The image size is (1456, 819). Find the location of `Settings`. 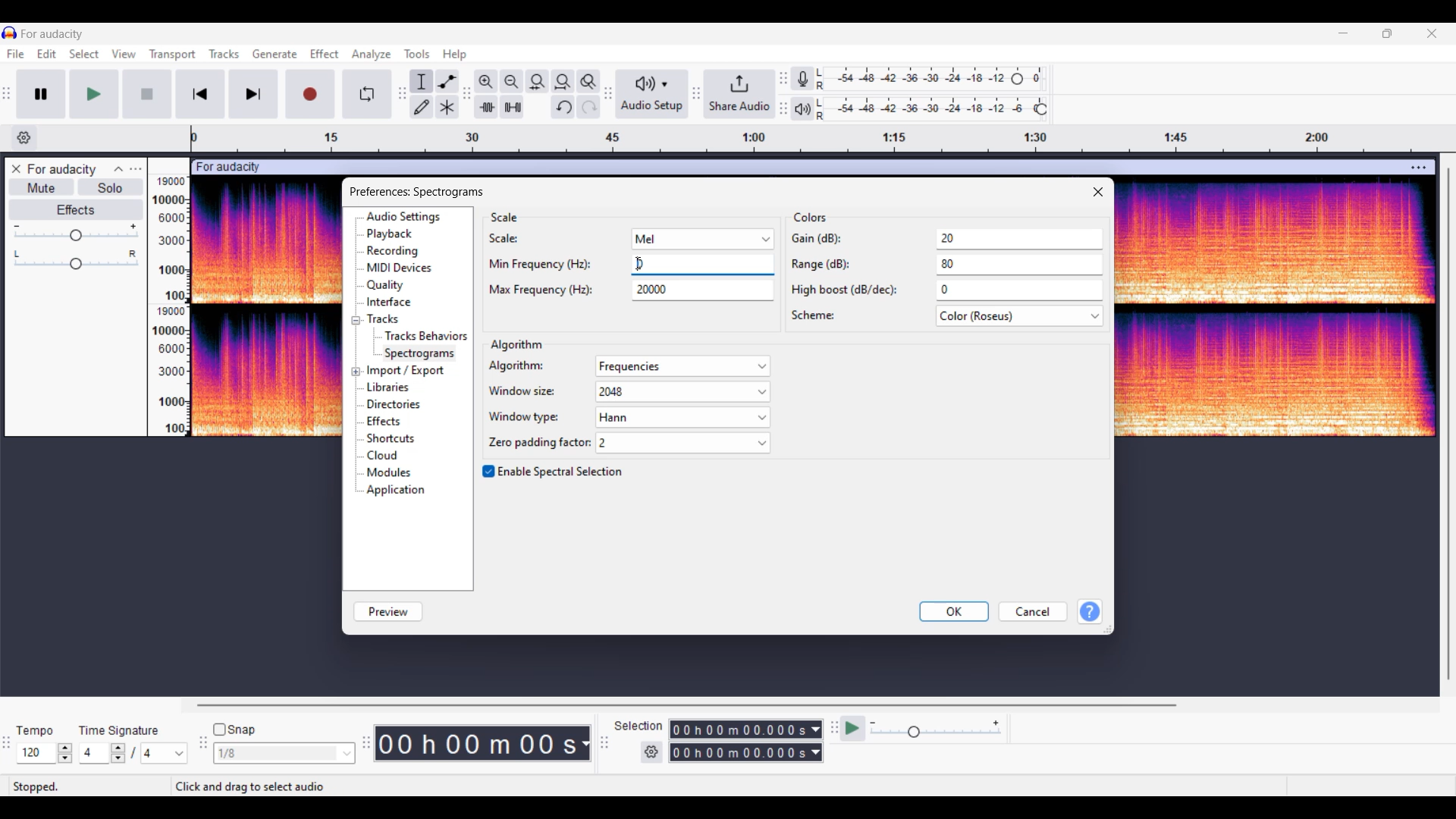

Settings is located at coordinates (651, 752).